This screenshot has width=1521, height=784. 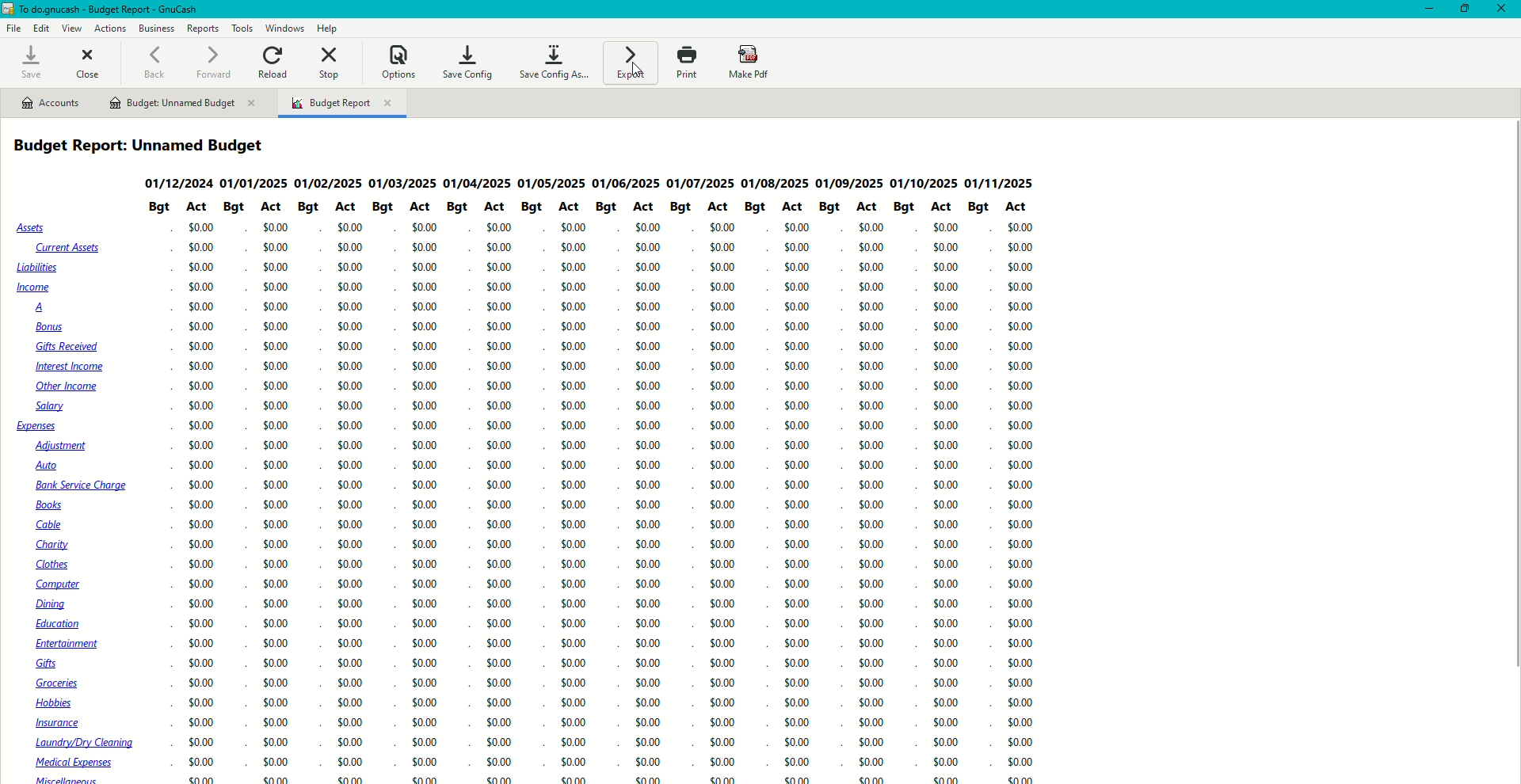 I want to click on $0.00, so click(x=424, y=367).